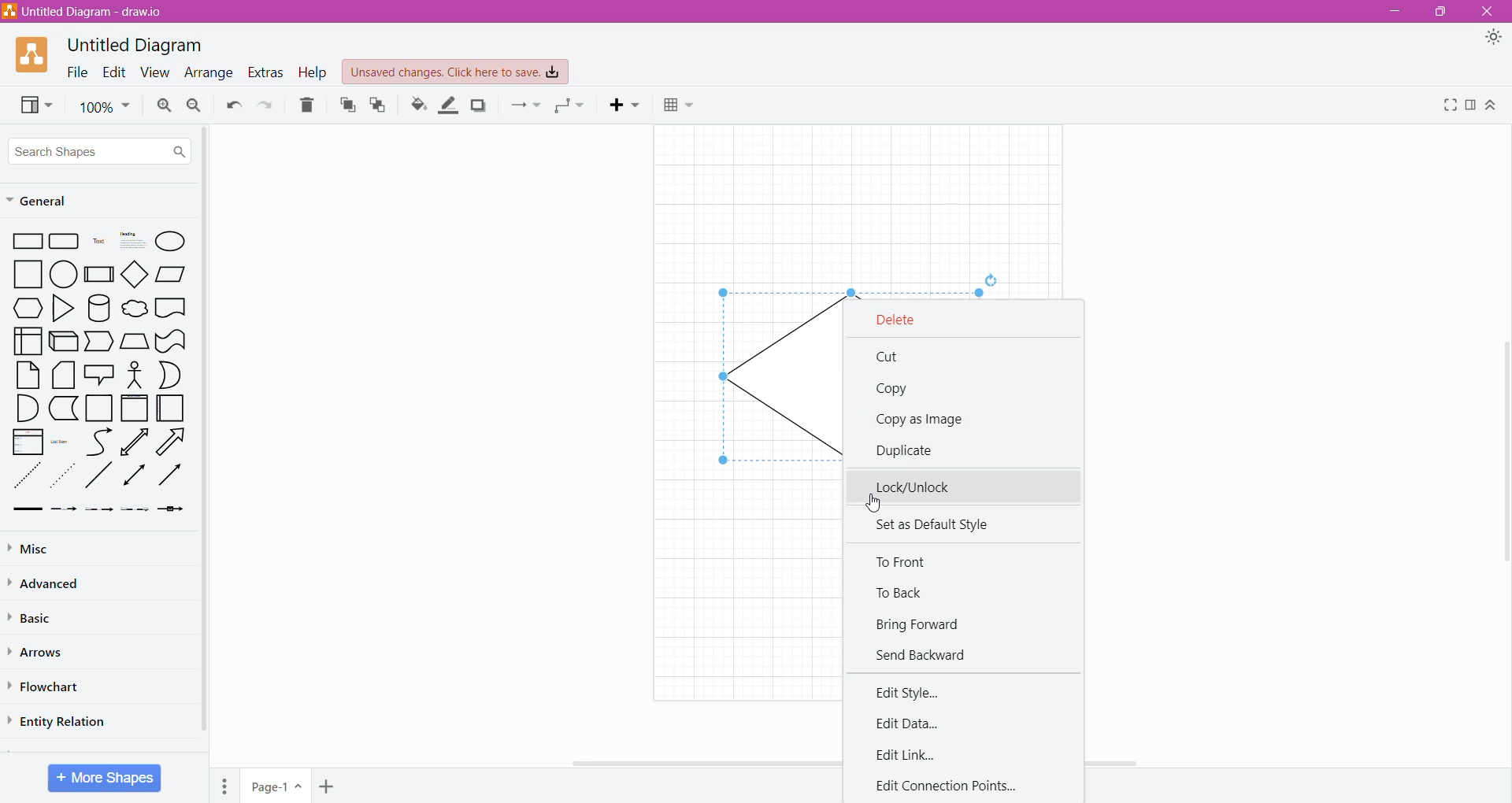  Describe the element at coordinates (85, 13) in the screenshot. I see `Application Name` at that location.